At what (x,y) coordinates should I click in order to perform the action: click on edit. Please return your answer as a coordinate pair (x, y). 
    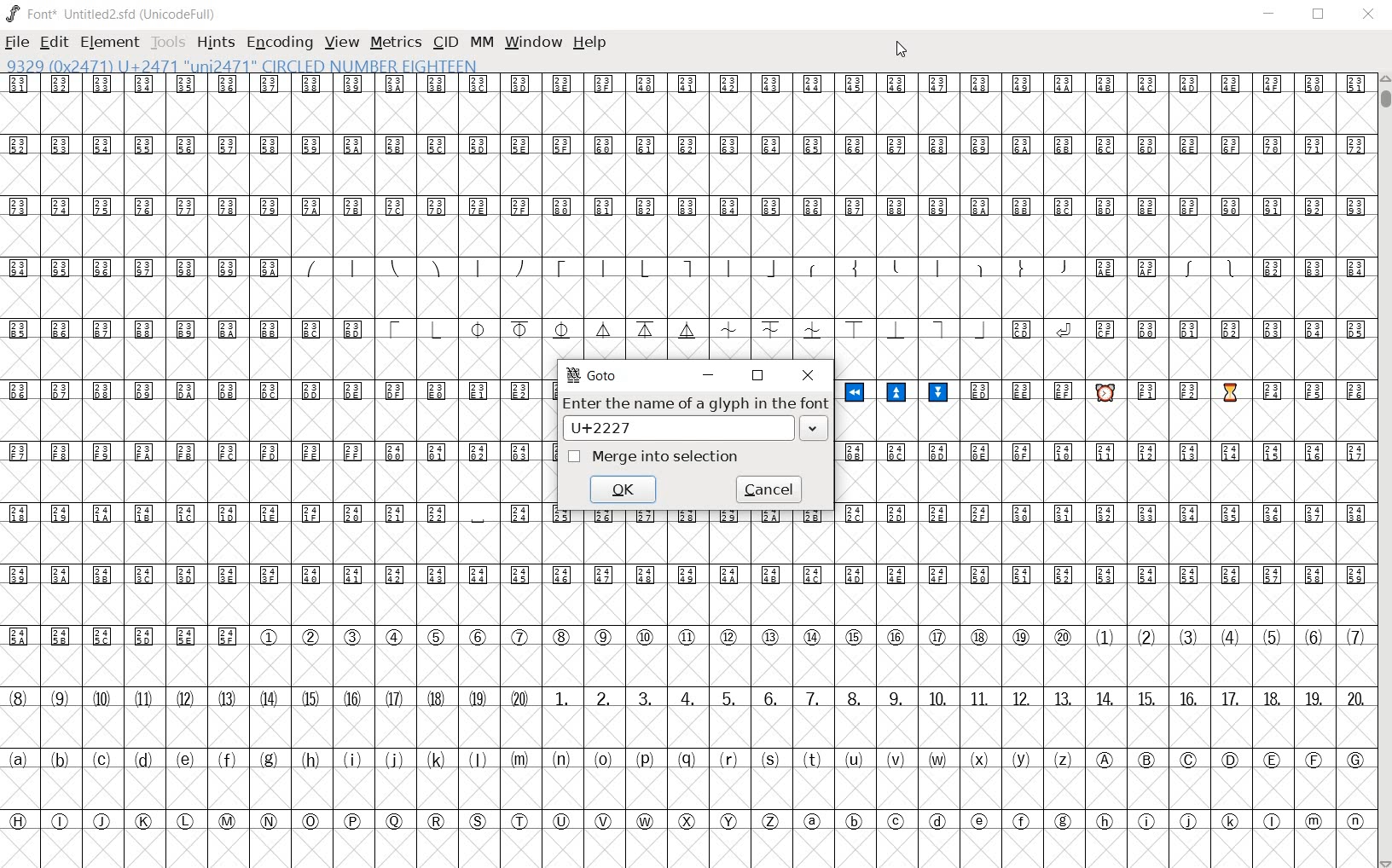
    Looking at the image, I should click on (53, 42).